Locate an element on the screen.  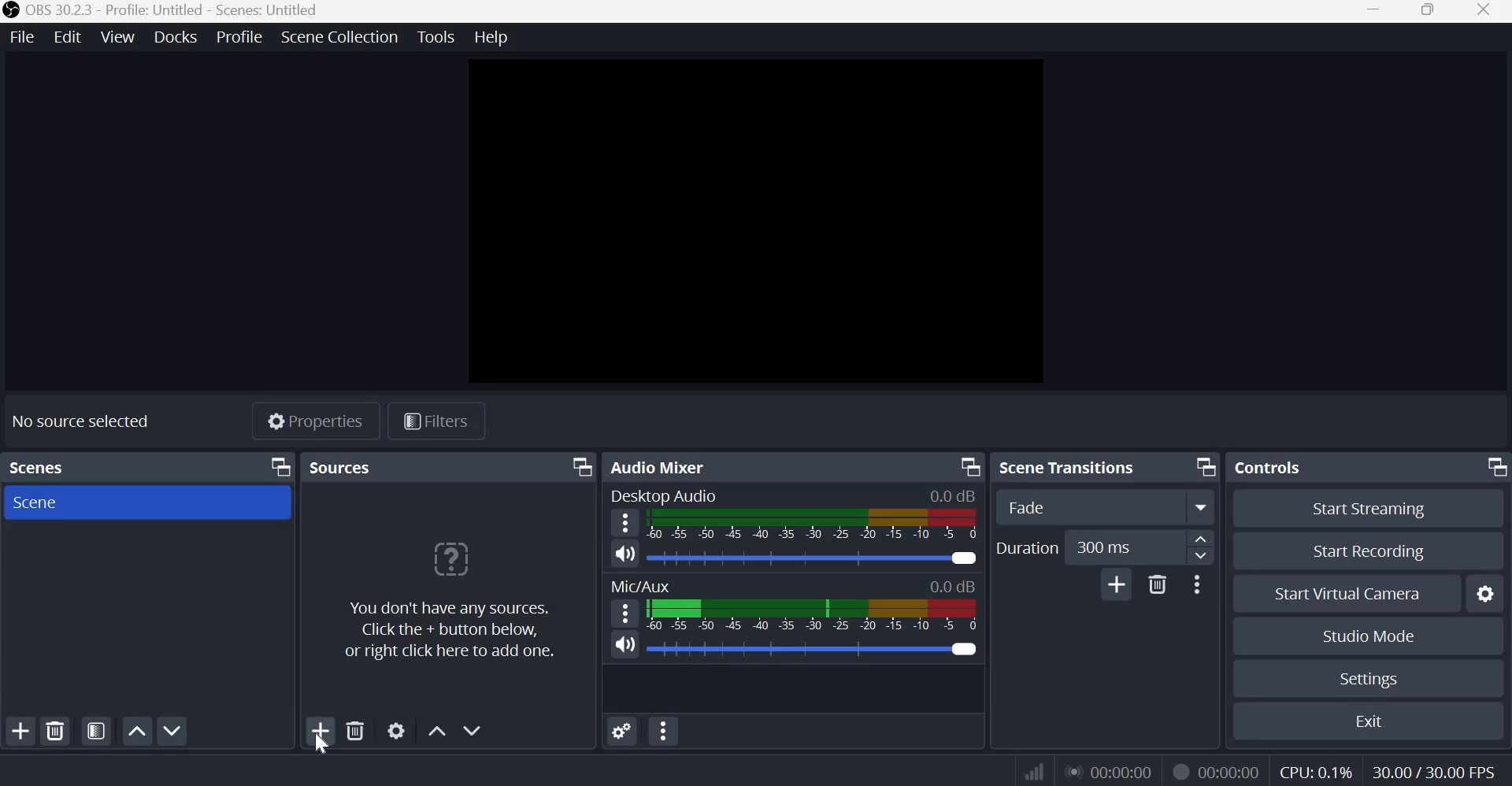
cursor is located at coordinates (321, 748).